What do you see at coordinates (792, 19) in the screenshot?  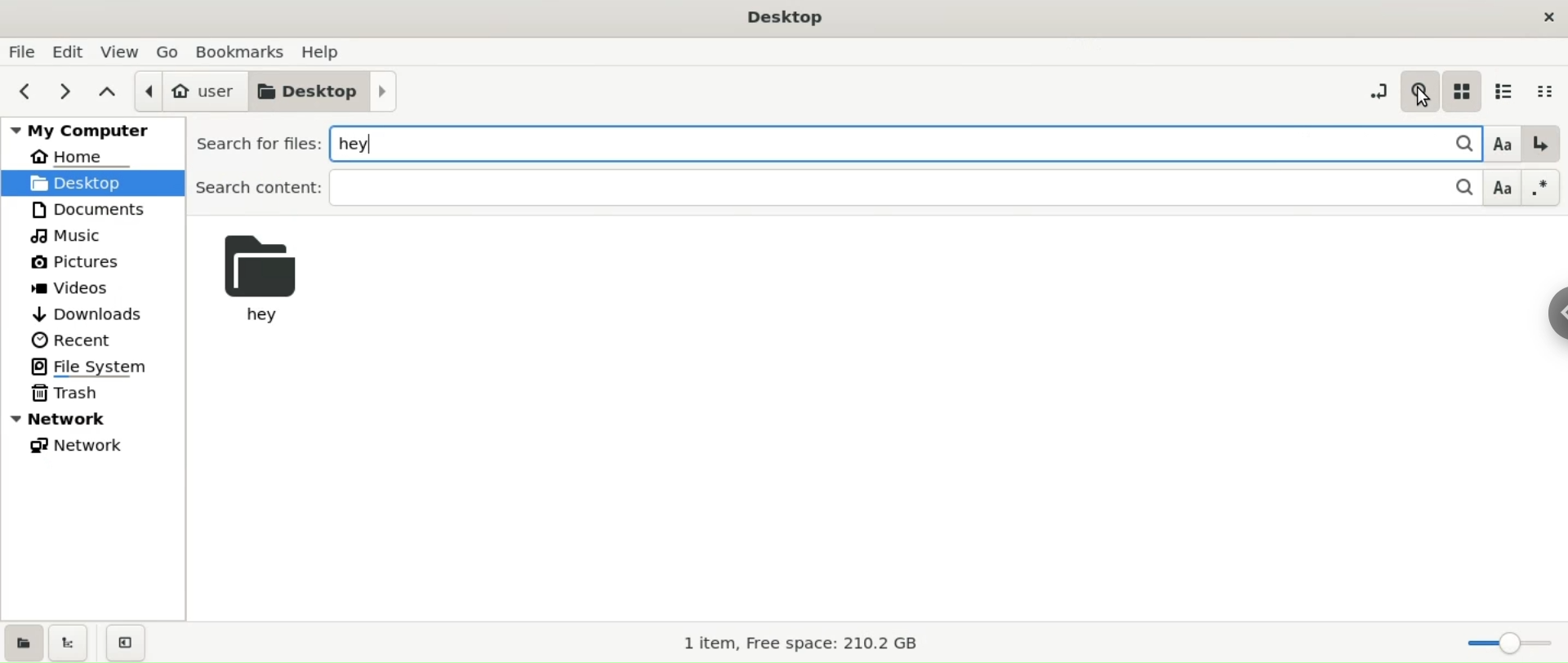 I see `title` at bounding box center [792, 19].